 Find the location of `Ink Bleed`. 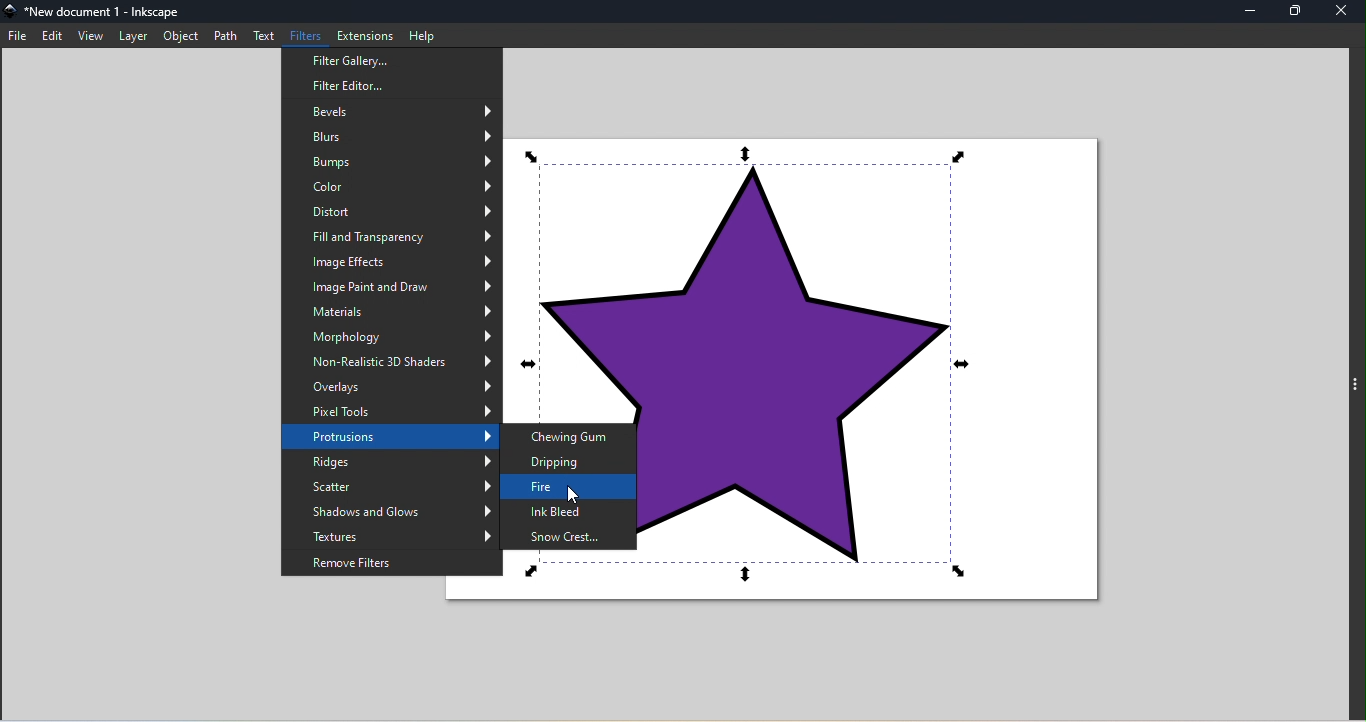

Ink Bleed is located at coordinates (569, 514).